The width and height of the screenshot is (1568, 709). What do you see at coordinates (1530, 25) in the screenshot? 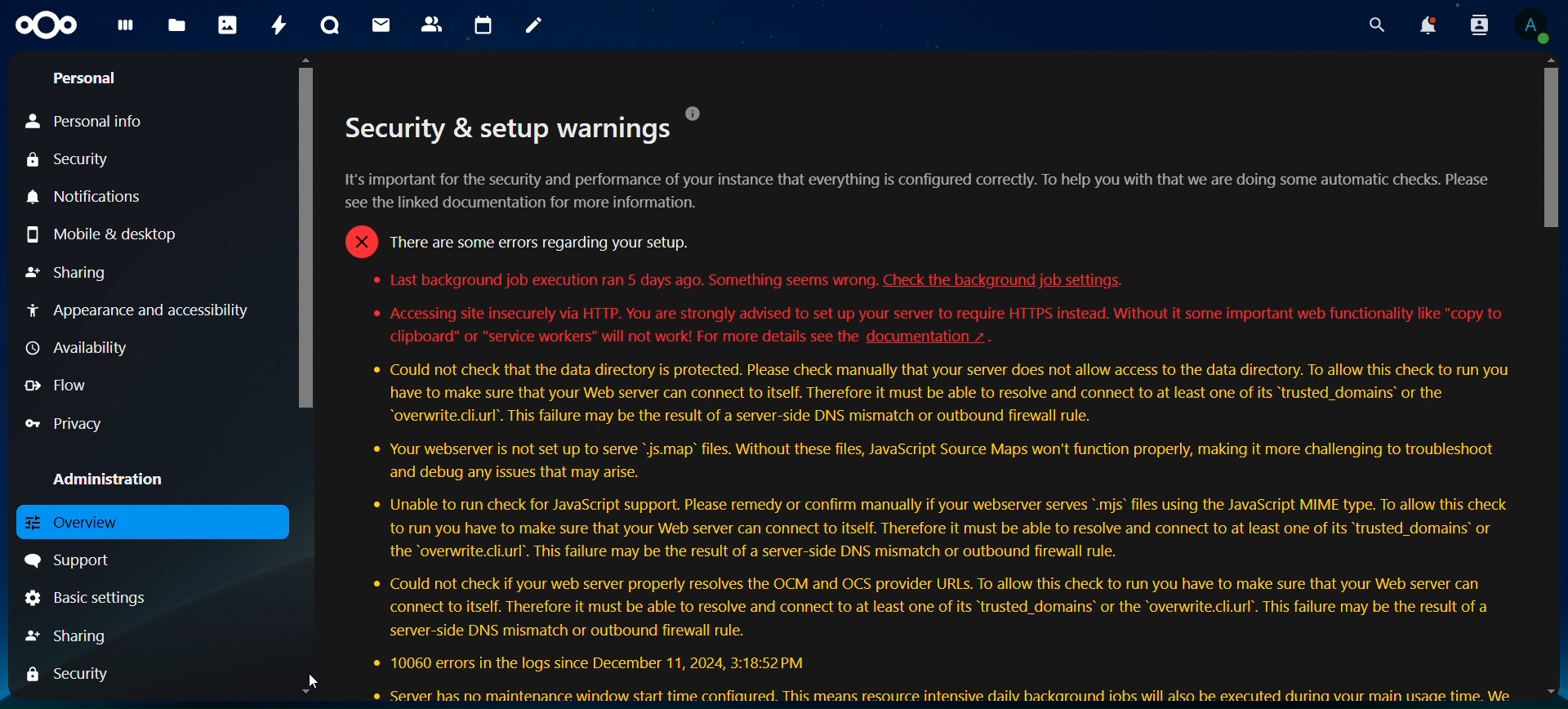
I see `account` at bounding box center [1530, 25].